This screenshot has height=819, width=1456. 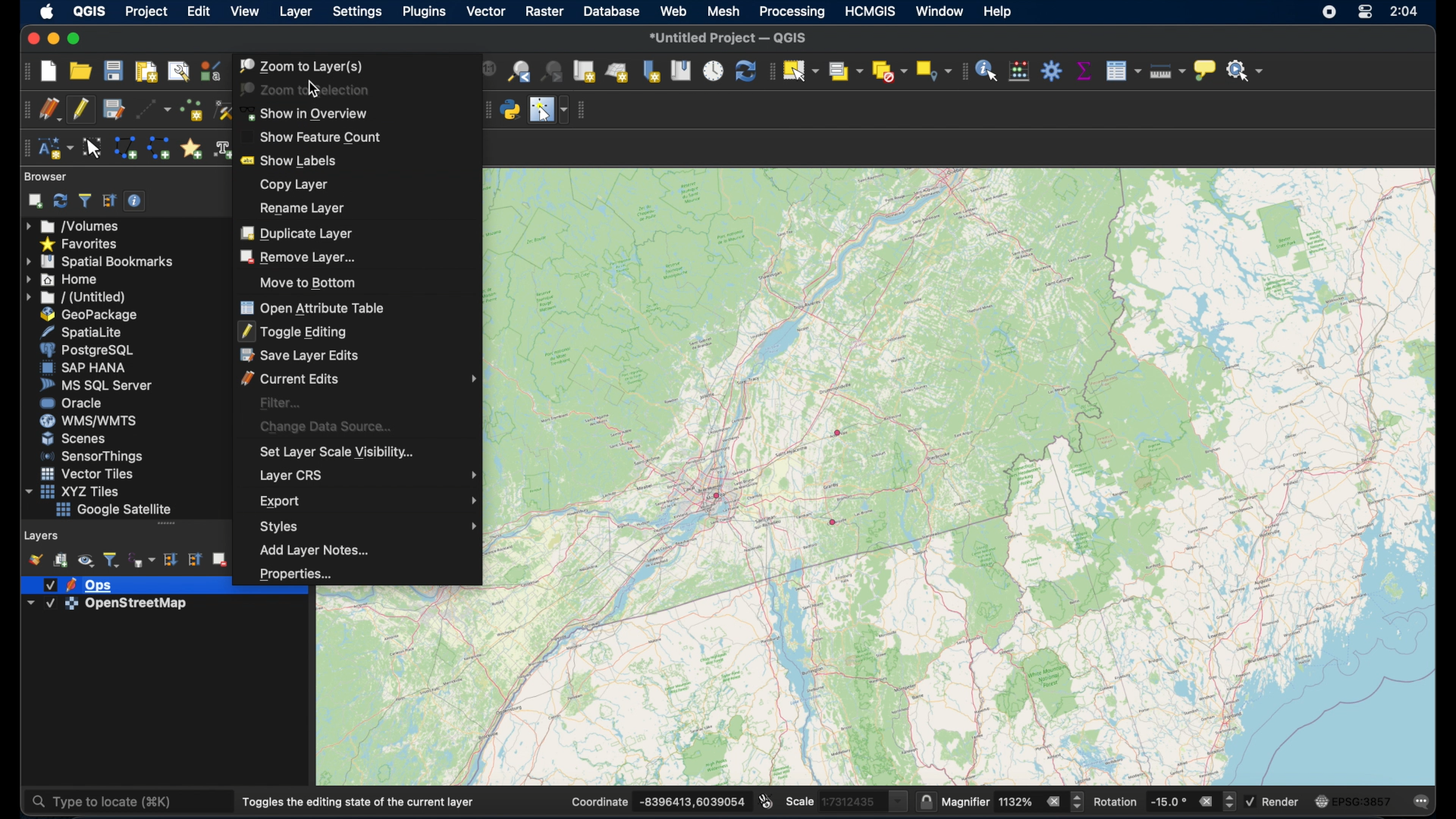 What do you see at coordinates (366, 526) in the screenshot?
I see `styles menu` at bounding box center [366, 526].